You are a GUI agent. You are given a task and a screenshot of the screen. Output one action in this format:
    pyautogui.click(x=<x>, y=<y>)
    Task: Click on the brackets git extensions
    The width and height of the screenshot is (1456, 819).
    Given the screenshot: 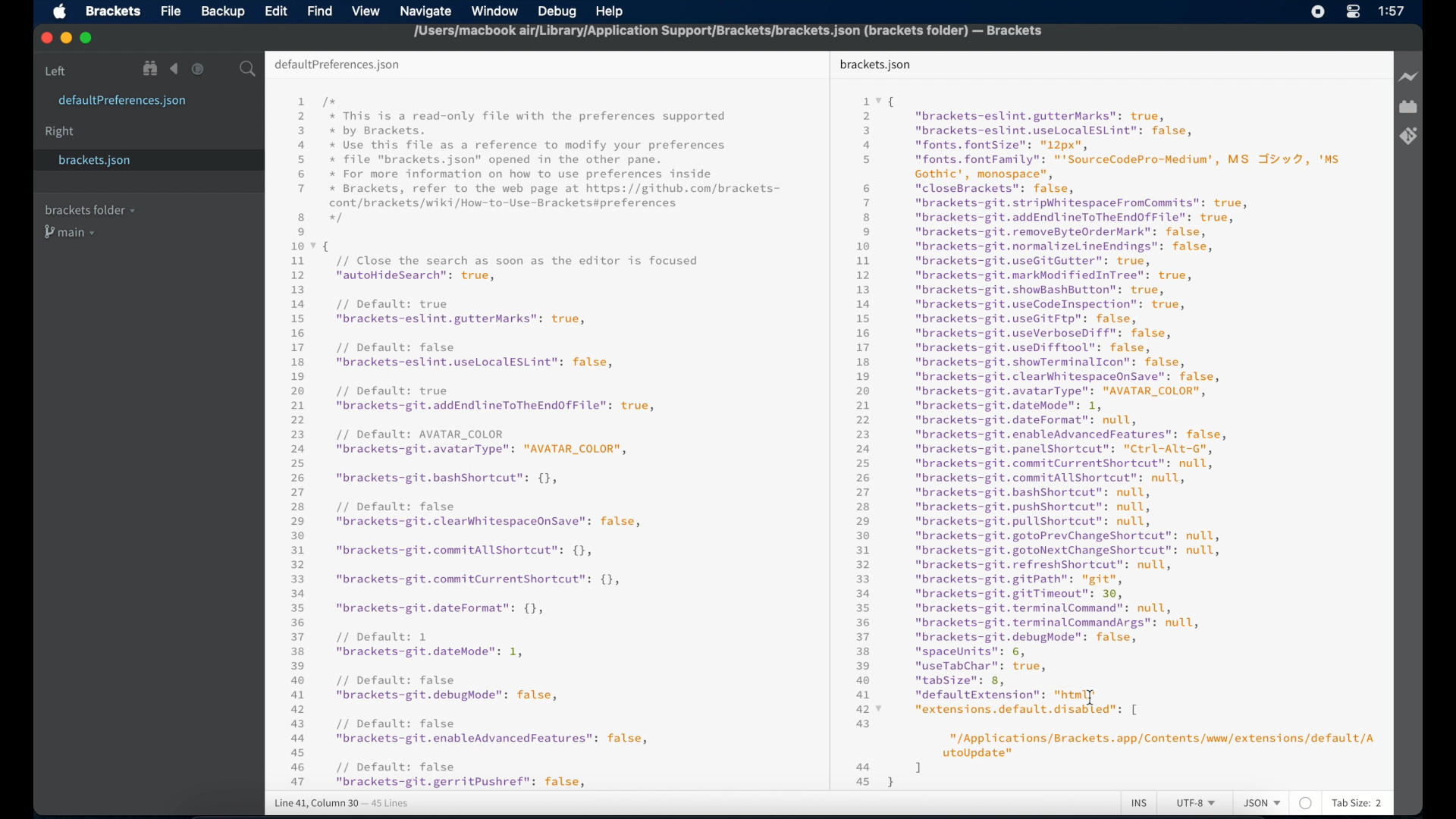 What is the action you would take?
    pyautogui.click(x=1408, y=136)
    